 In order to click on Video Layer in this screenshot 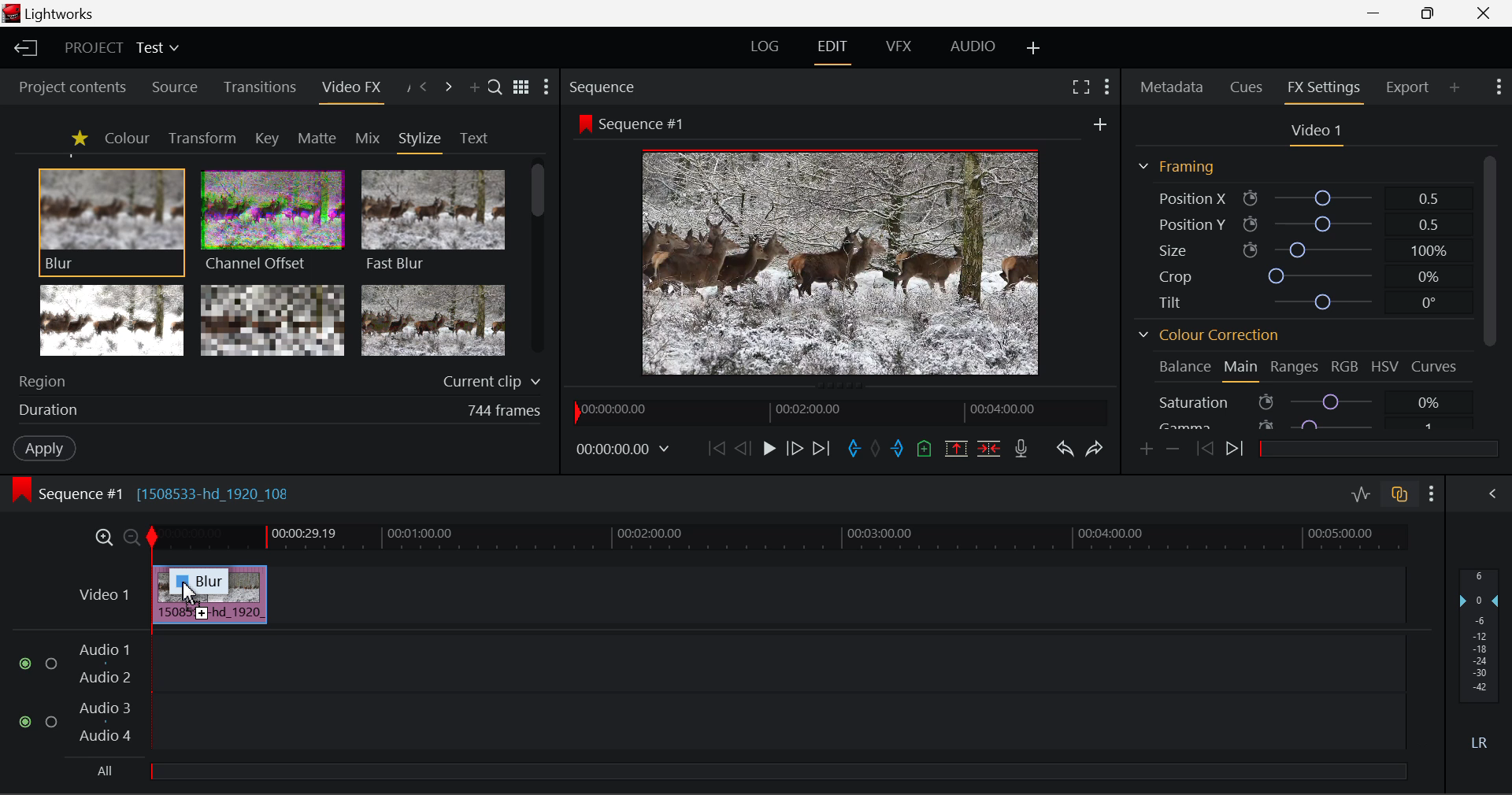, I will do `click(101, 593)`.